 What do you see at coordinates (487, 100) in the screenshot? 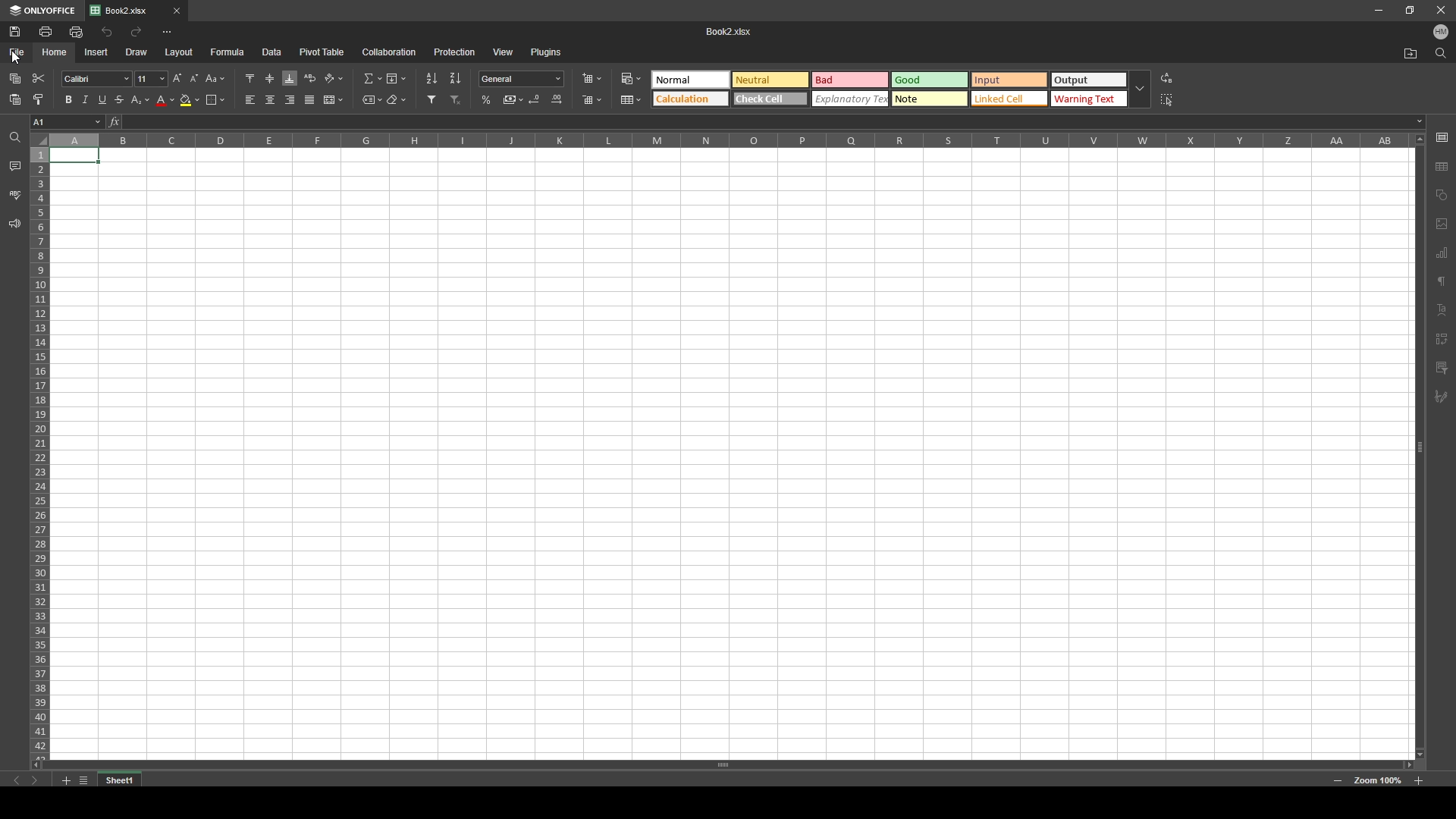
I see `percentage` at bounding box center [487, 100].